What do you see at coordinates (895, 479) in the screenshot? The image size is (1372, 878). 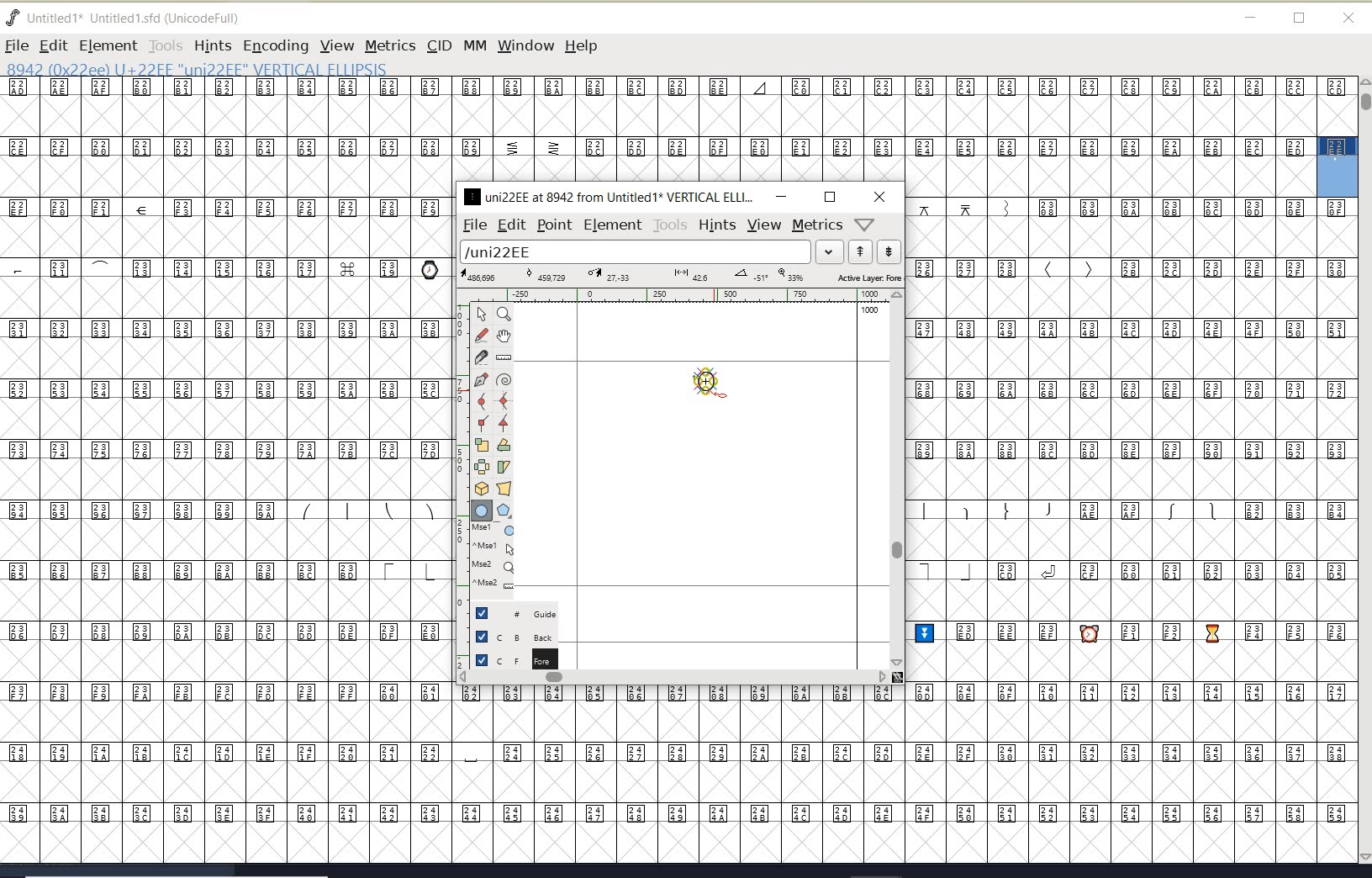 I see `scrollbar` at bounding box center [895, 479].